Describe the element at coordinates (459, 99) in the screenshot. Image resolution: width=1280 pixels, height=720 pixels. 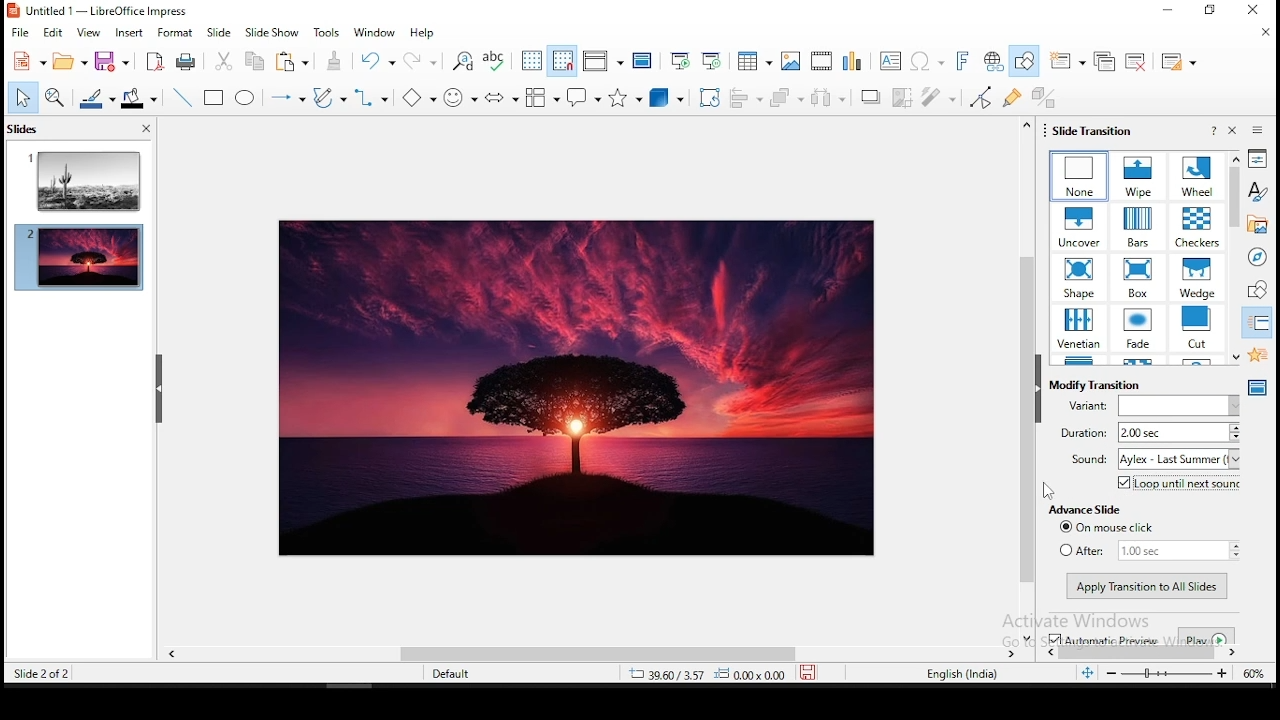
I see `symbol shapes` at that location.